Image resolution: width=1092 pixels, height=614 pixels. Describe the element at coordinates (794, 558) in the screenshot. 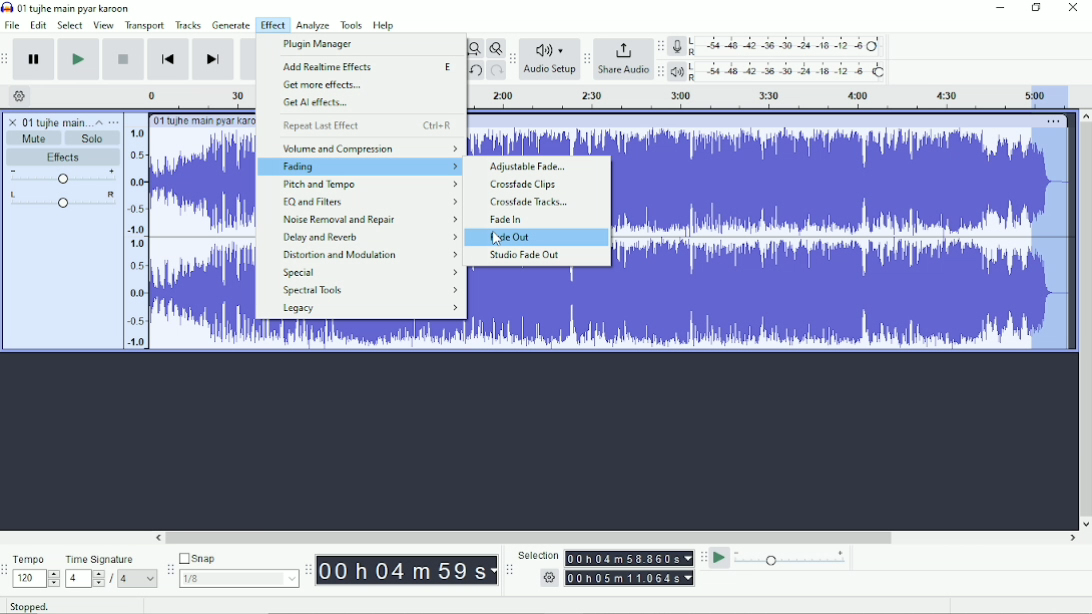

I see `Playback speed` at that location.